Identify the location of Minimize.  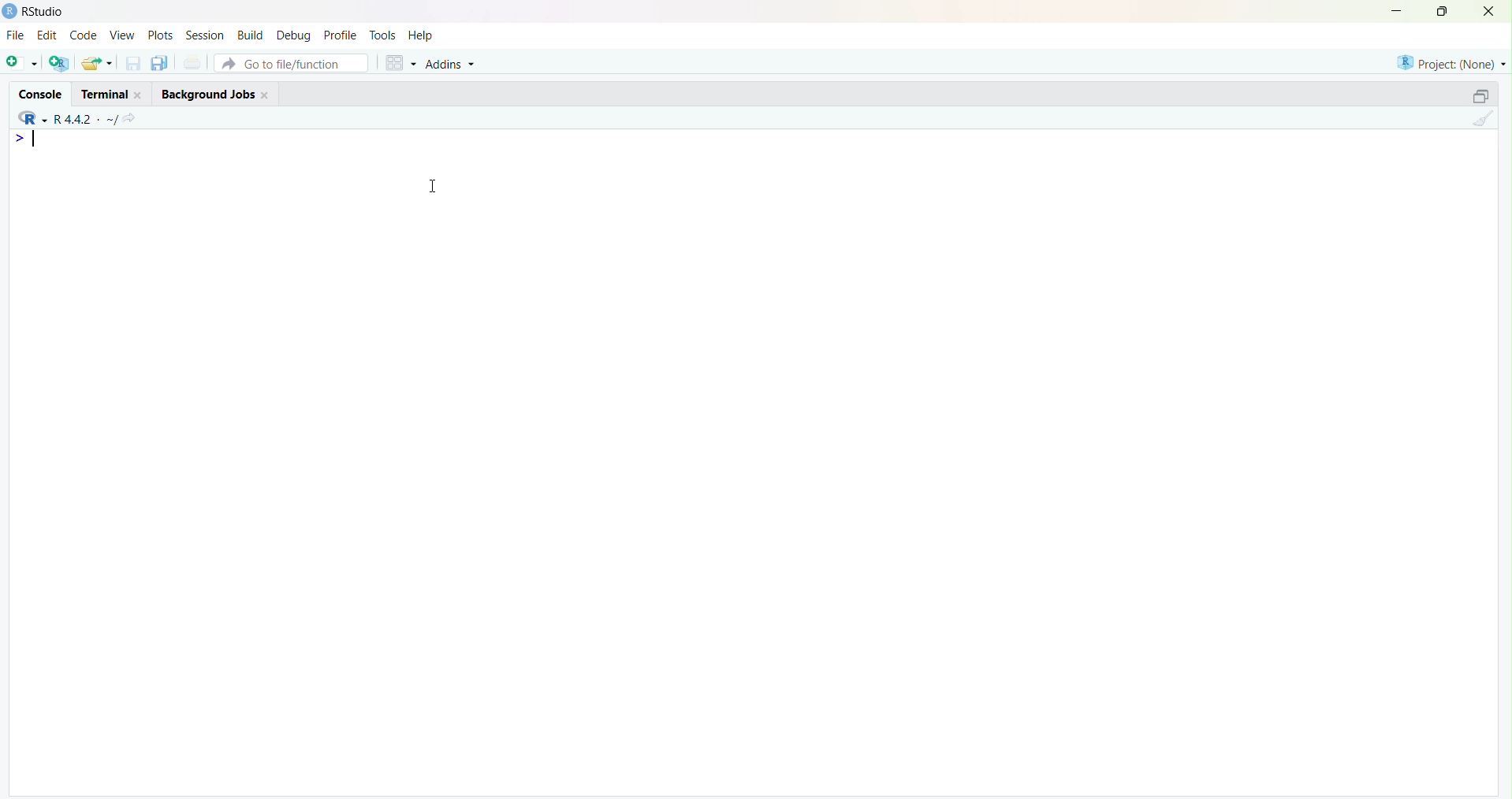
(1398, 10).